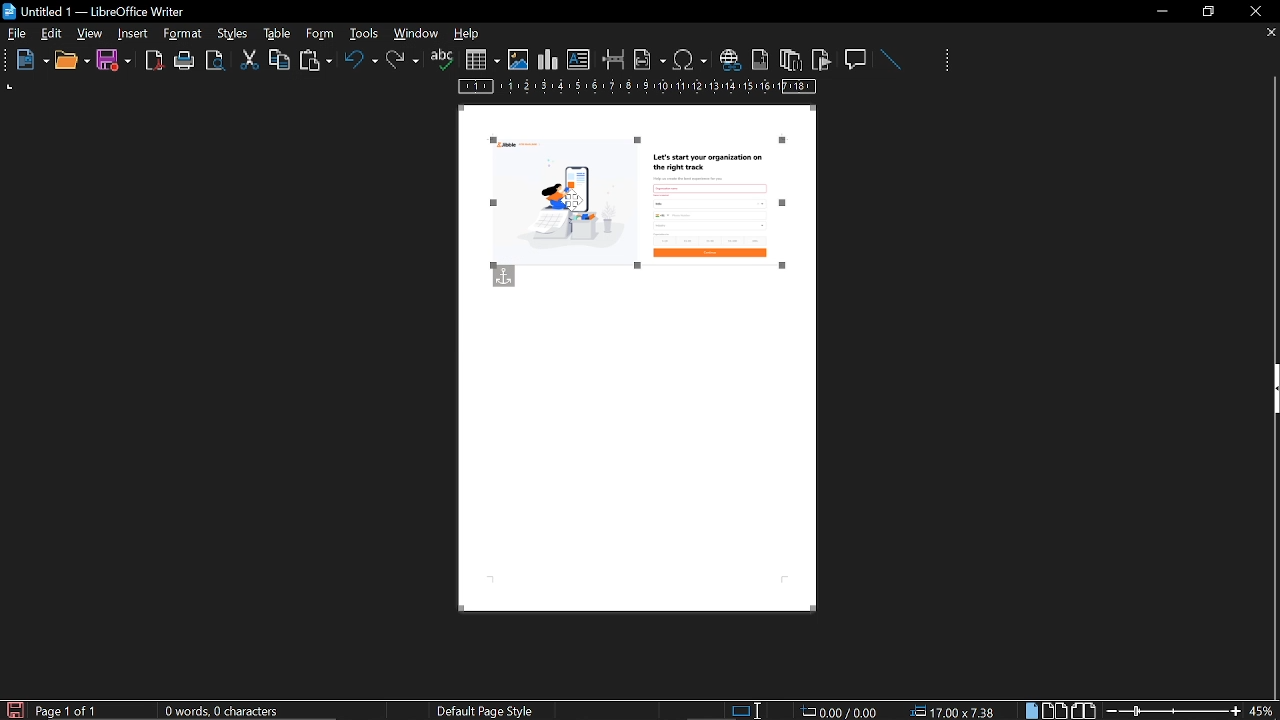 Image resolution: width=1280 pixels, height=720 pixels. Describe the element at coordinates (274, 33) in the screenshot. I see `styles` at that location.